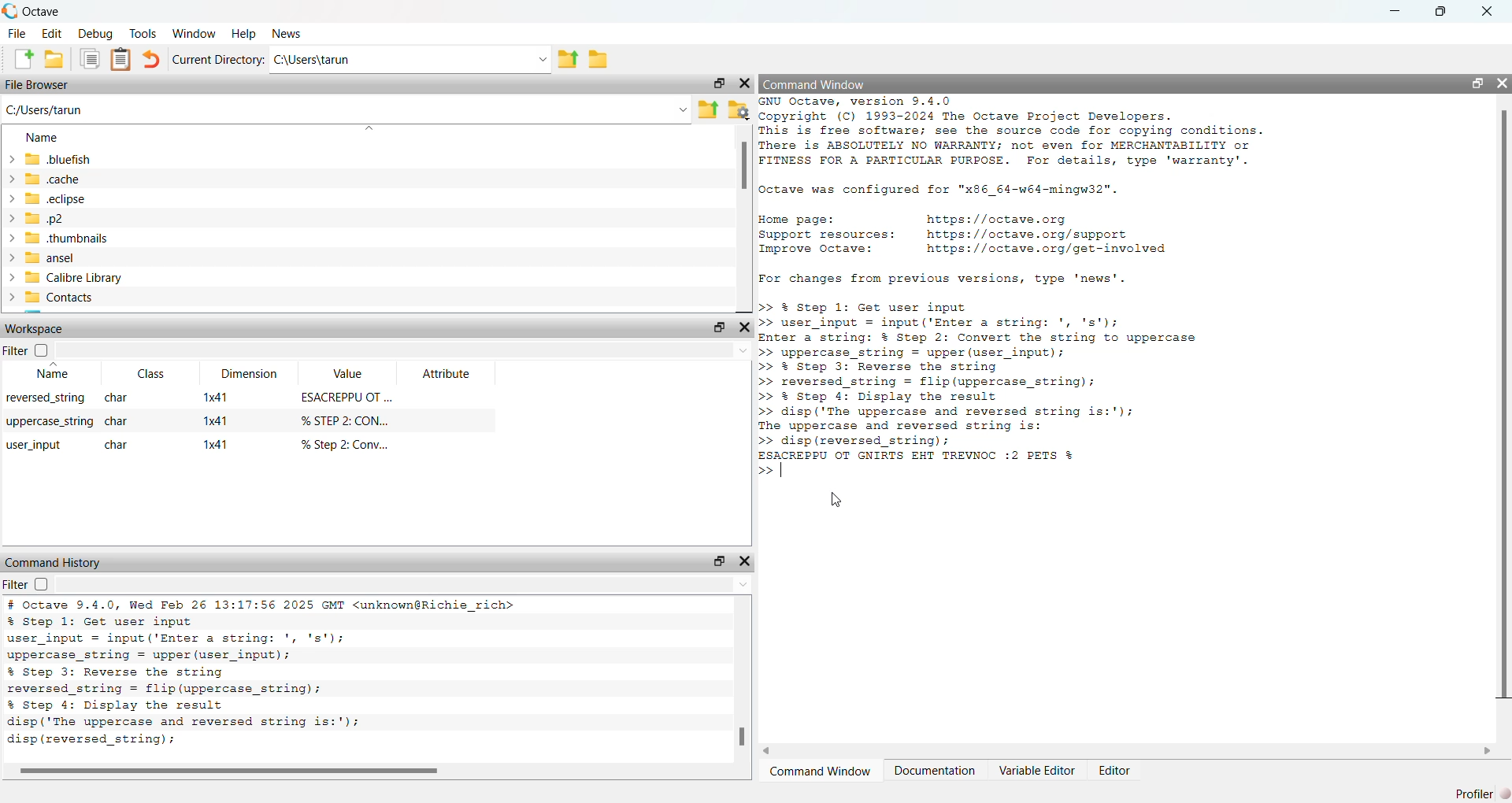  Describe the element at coordinates (54, 561) in the screenshot. I see `command history` at that location.